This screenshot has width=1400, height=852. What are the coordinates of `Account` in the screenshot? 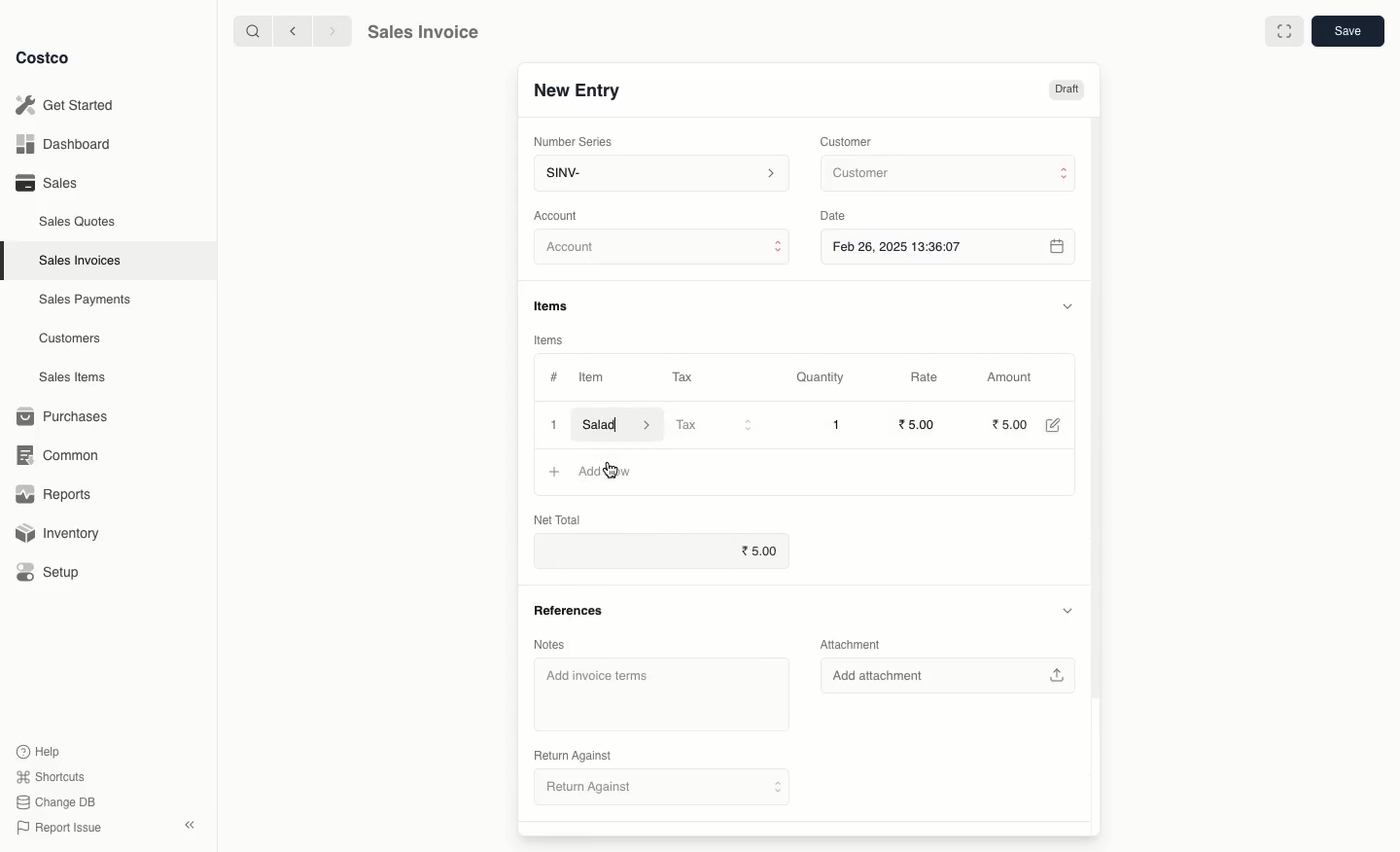 It's located at (663, 250).